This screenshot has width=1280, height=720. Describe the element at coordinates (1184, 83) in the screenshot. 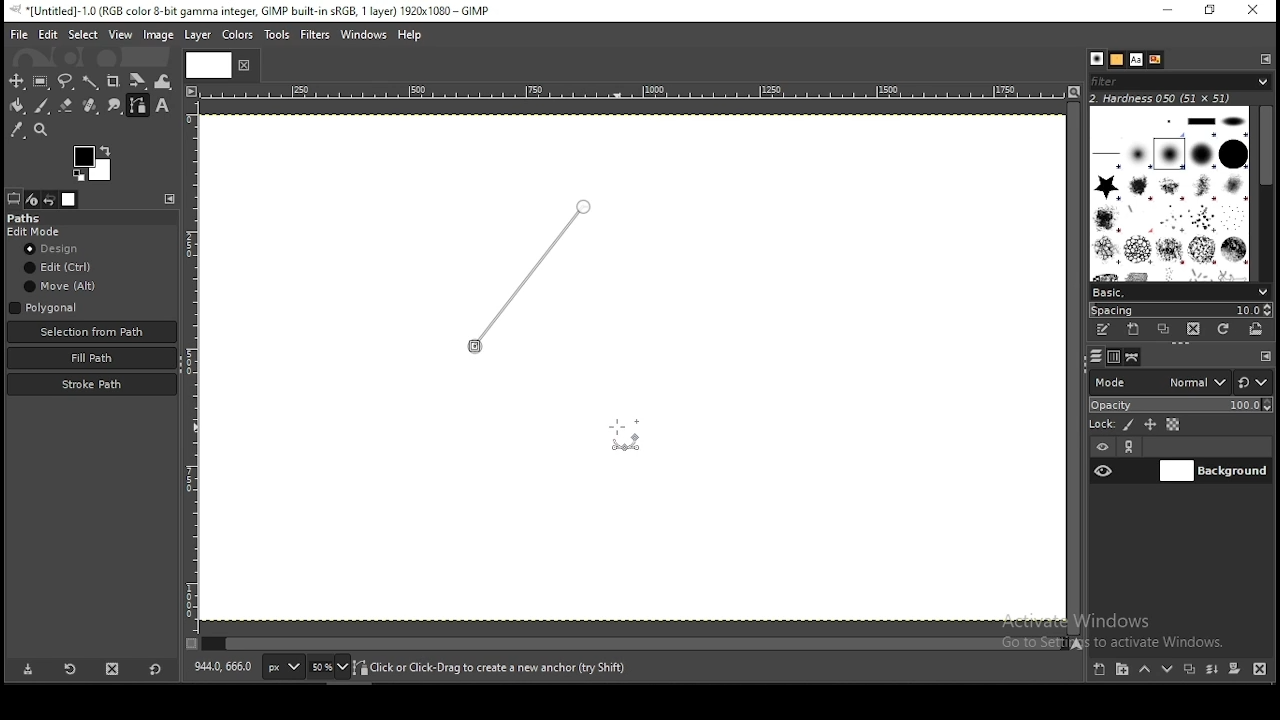

I see `filters` at that location.